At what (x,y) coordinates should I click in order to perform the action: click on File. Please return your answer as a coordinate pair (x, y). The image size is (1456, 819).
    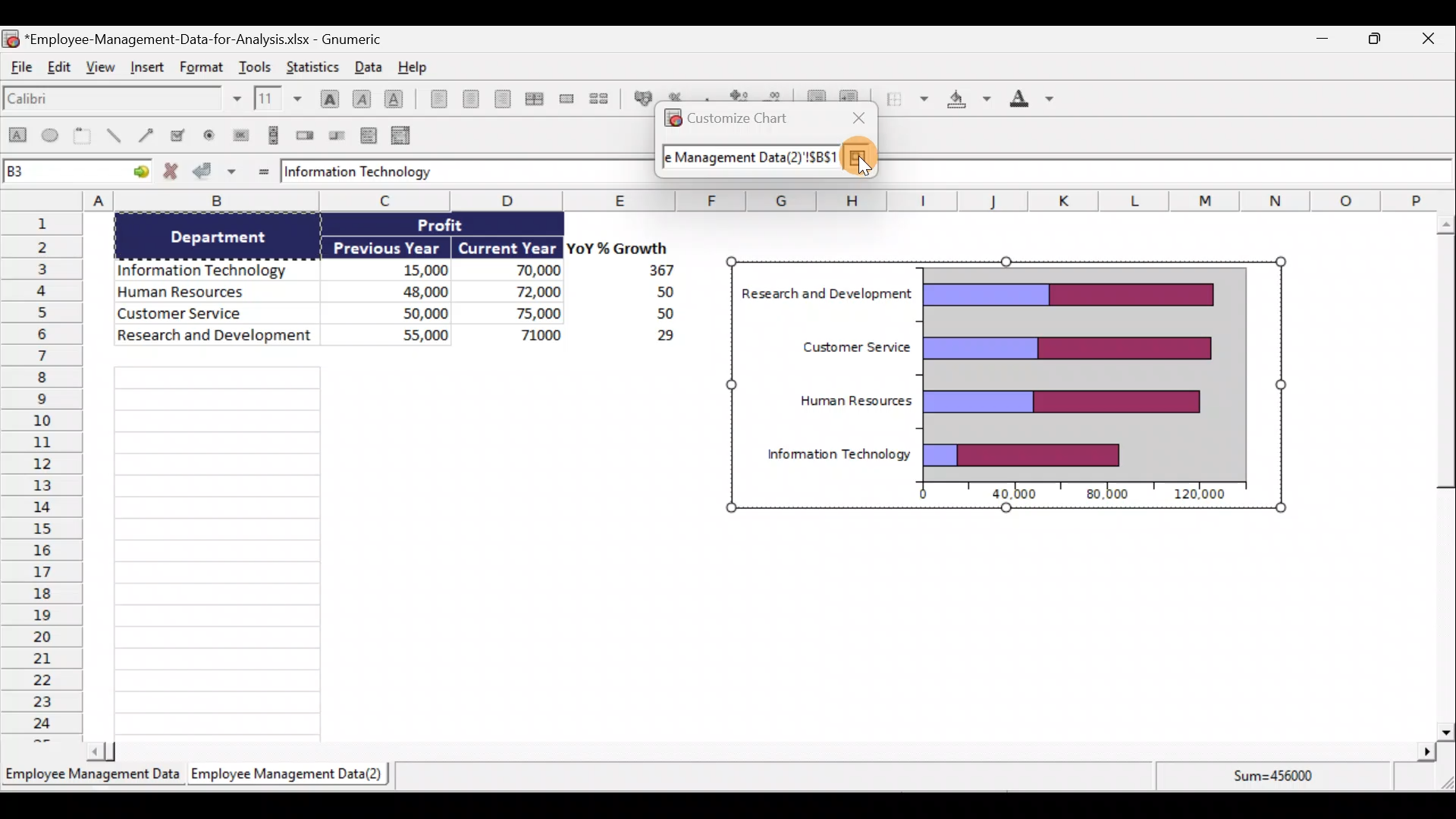
    Looking at the image, I should click on (20, 67).